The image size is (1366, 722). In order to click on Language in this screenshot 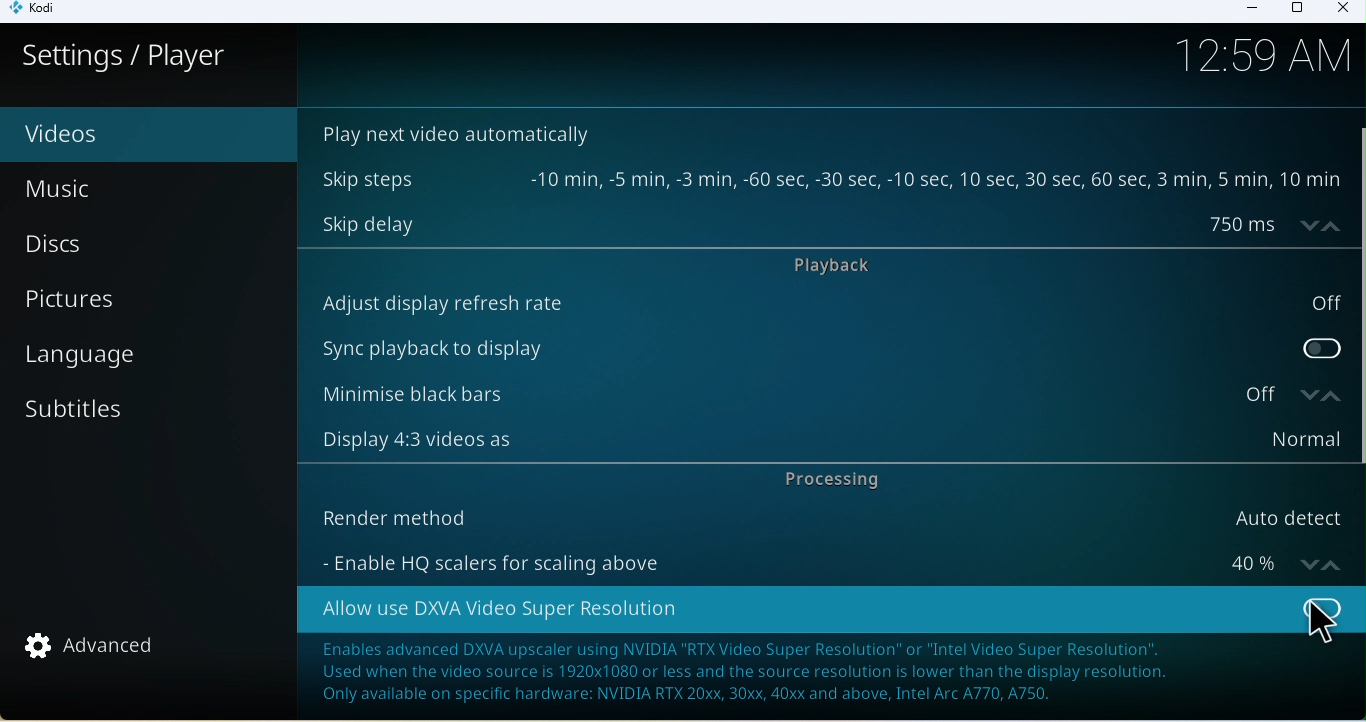, I will do `click(145, 356)`.